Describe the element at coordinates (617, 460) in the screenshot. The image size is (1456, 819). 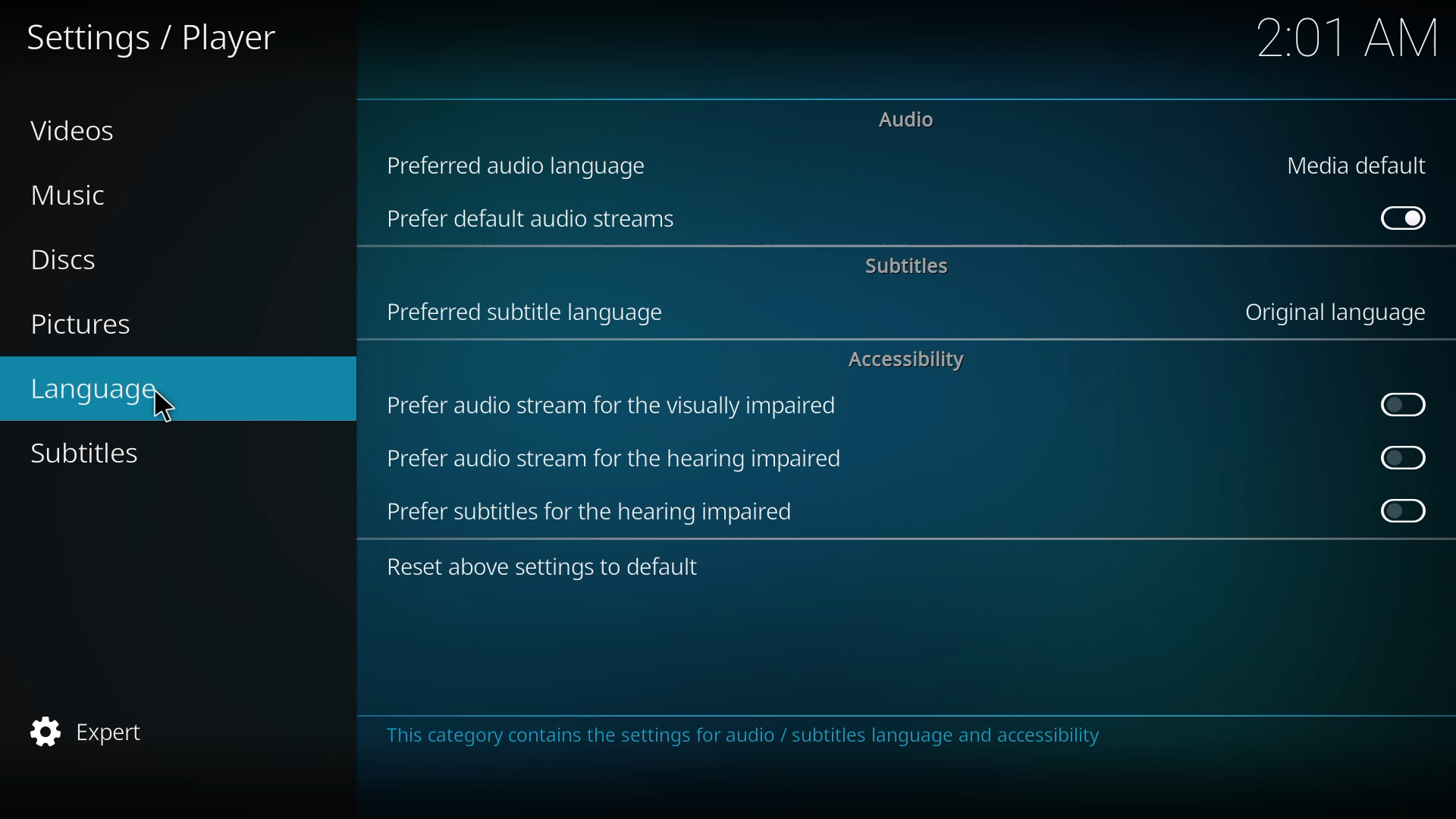
I see `prefer audio stream for hearing impaired` at that location.